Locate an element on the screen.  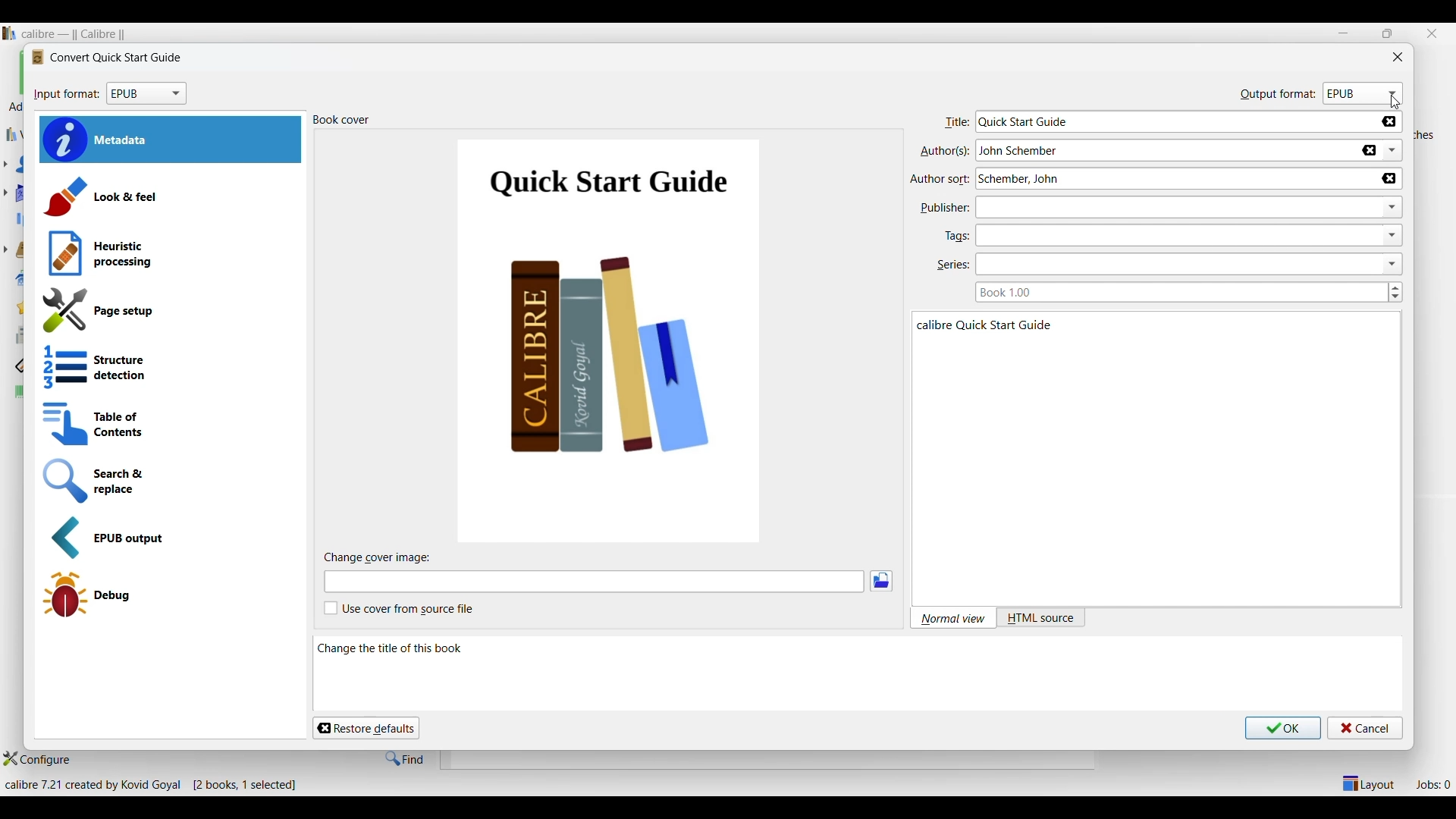
List authors is located at coordinates (1392, 150).